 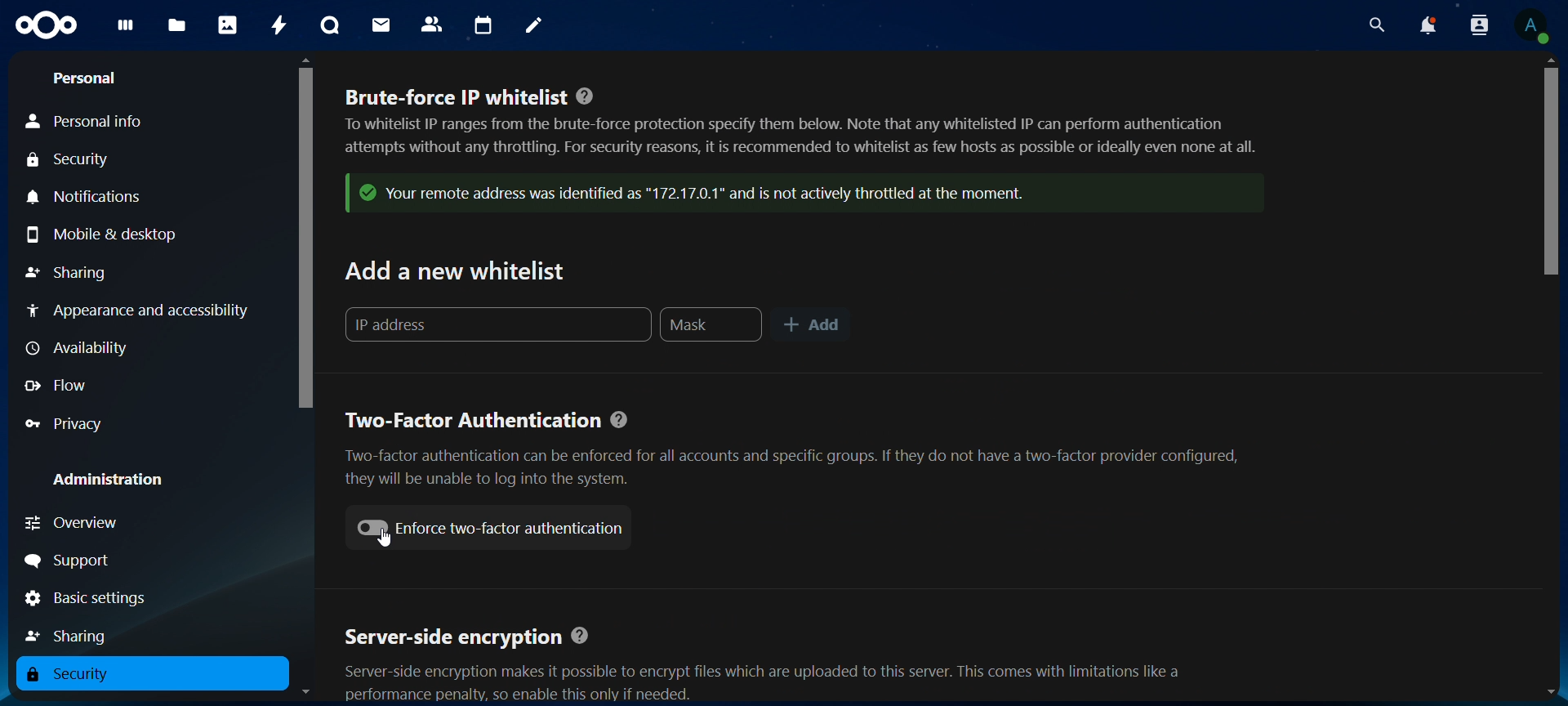 I want to click on server side encryption, so click(x=768, y=659).